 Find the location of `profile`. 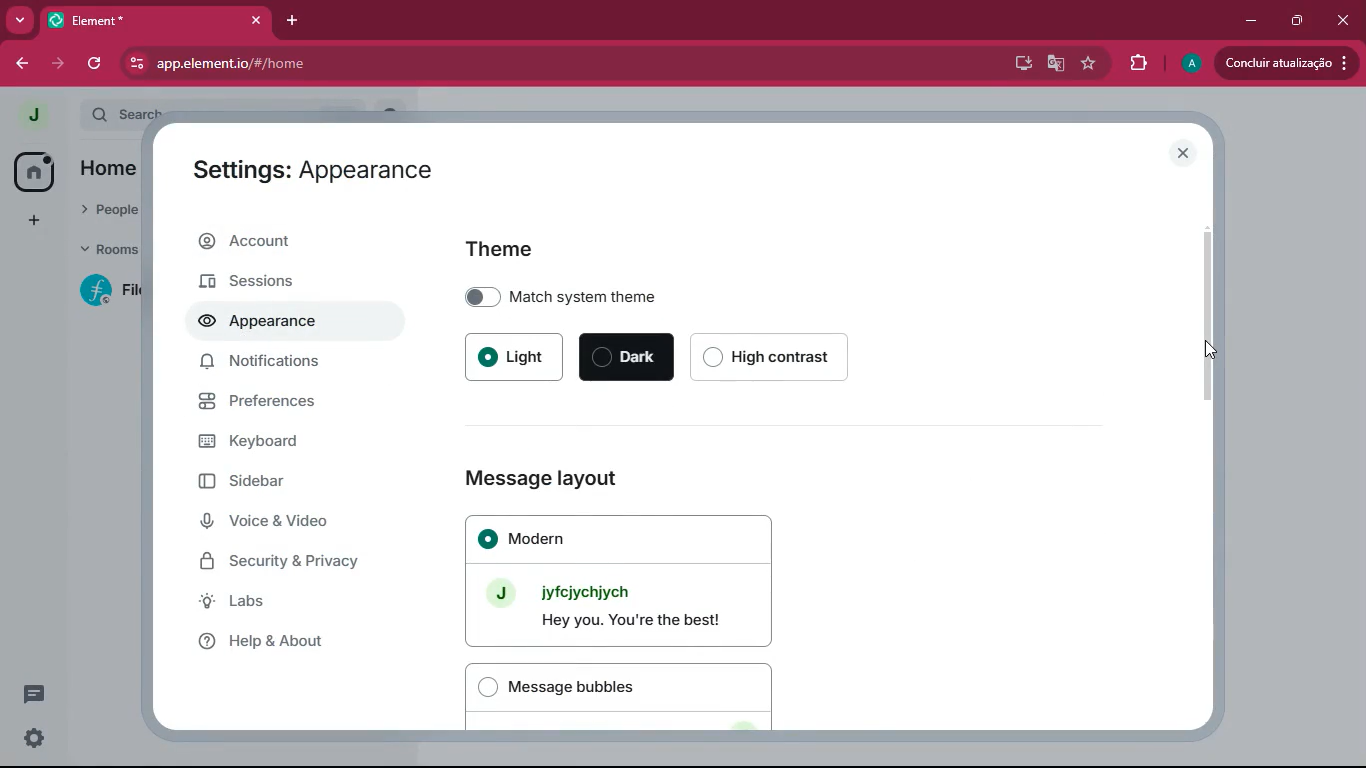

profile is located at coordinates (1188, 64).